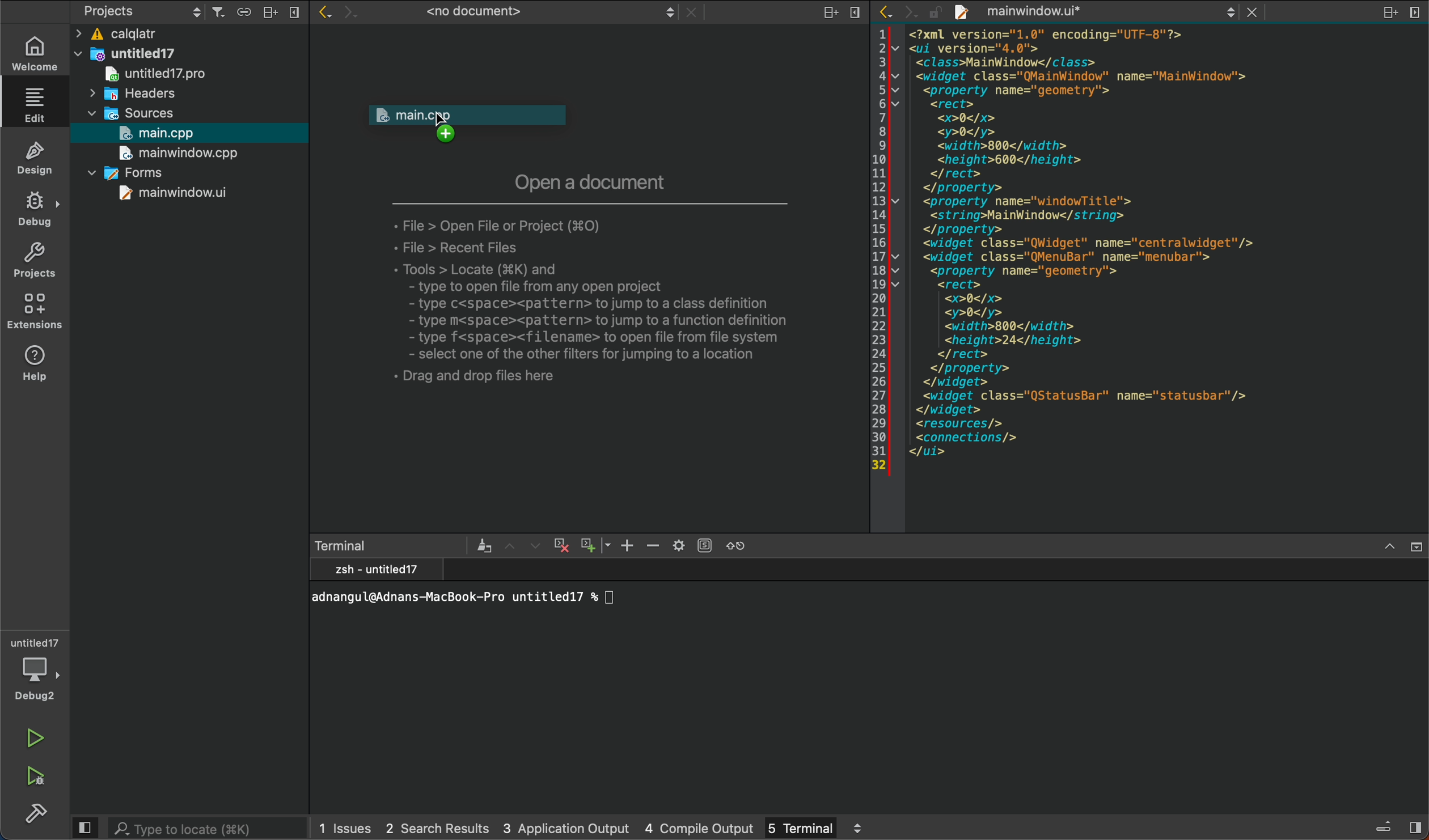 The height and width of the screenshot is (840, 1429). Describe the element at coordinates (84, 828) in the screenshot. I see `hide left sidebar` at that location.